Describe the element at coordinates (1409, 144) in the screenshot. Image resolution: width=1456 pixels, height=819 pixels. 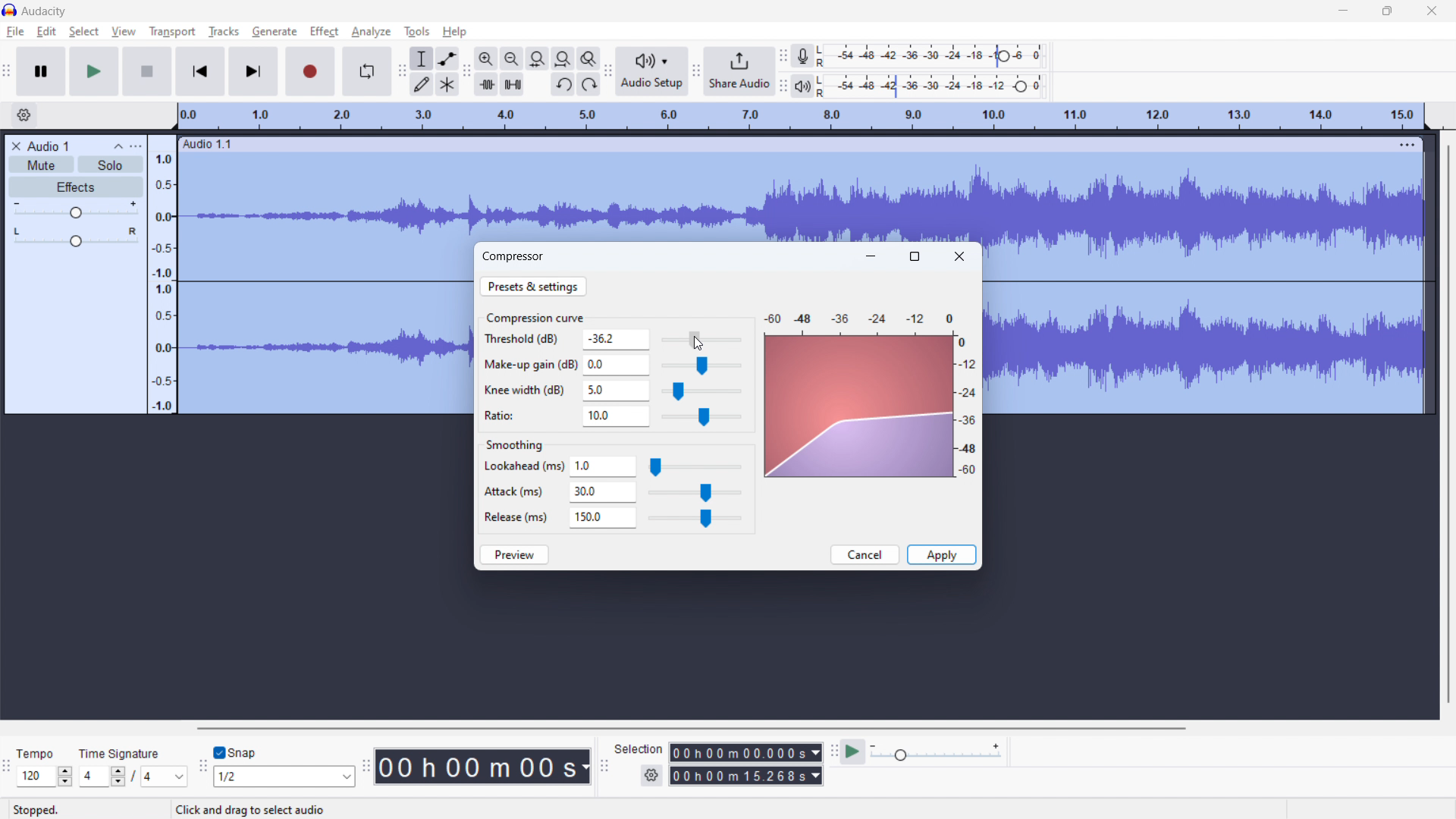
I see `menu` at that location.